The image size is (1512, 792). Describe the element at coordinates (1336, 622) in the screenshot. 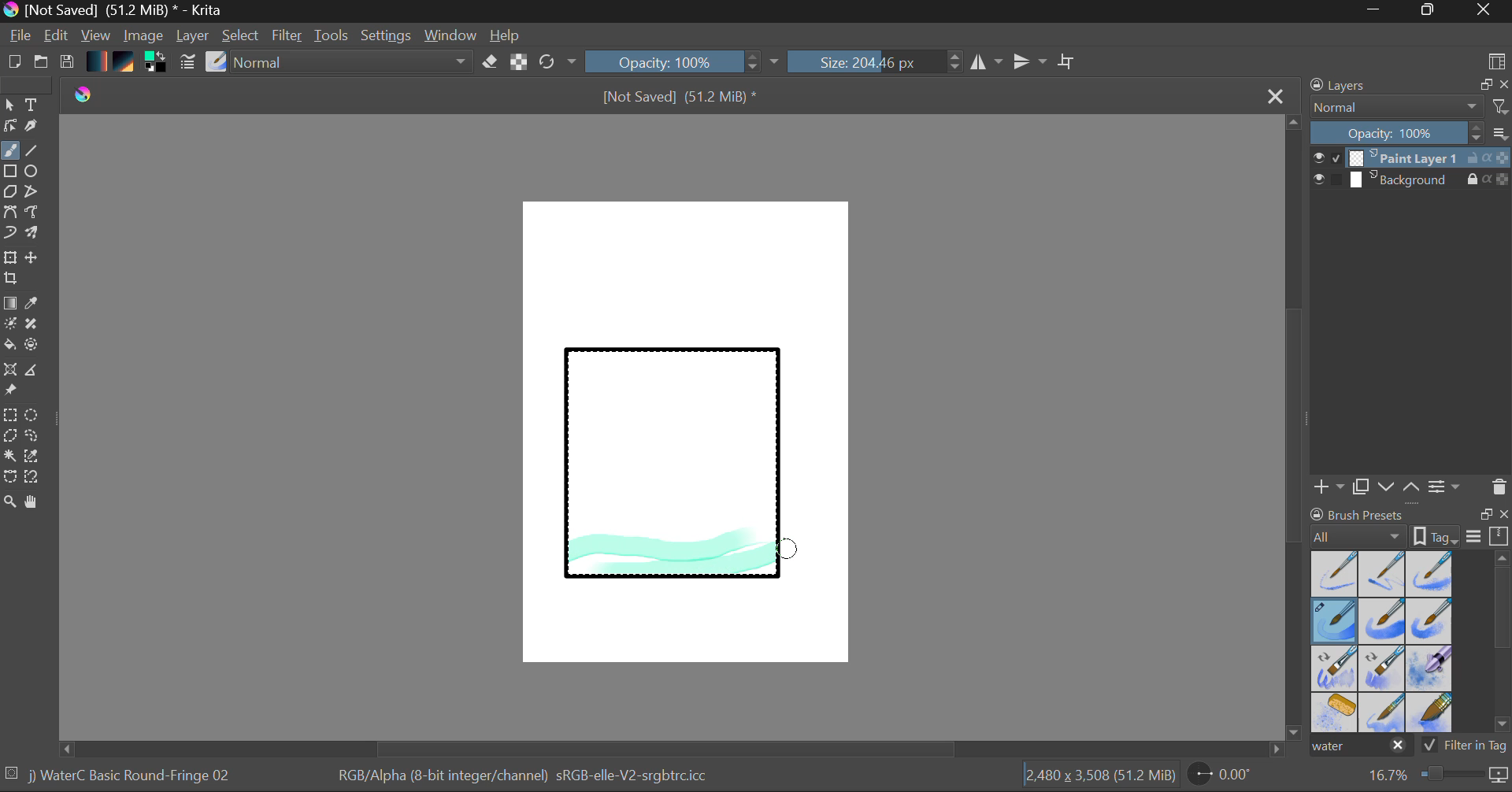

I see `Brush Selected` at that location.